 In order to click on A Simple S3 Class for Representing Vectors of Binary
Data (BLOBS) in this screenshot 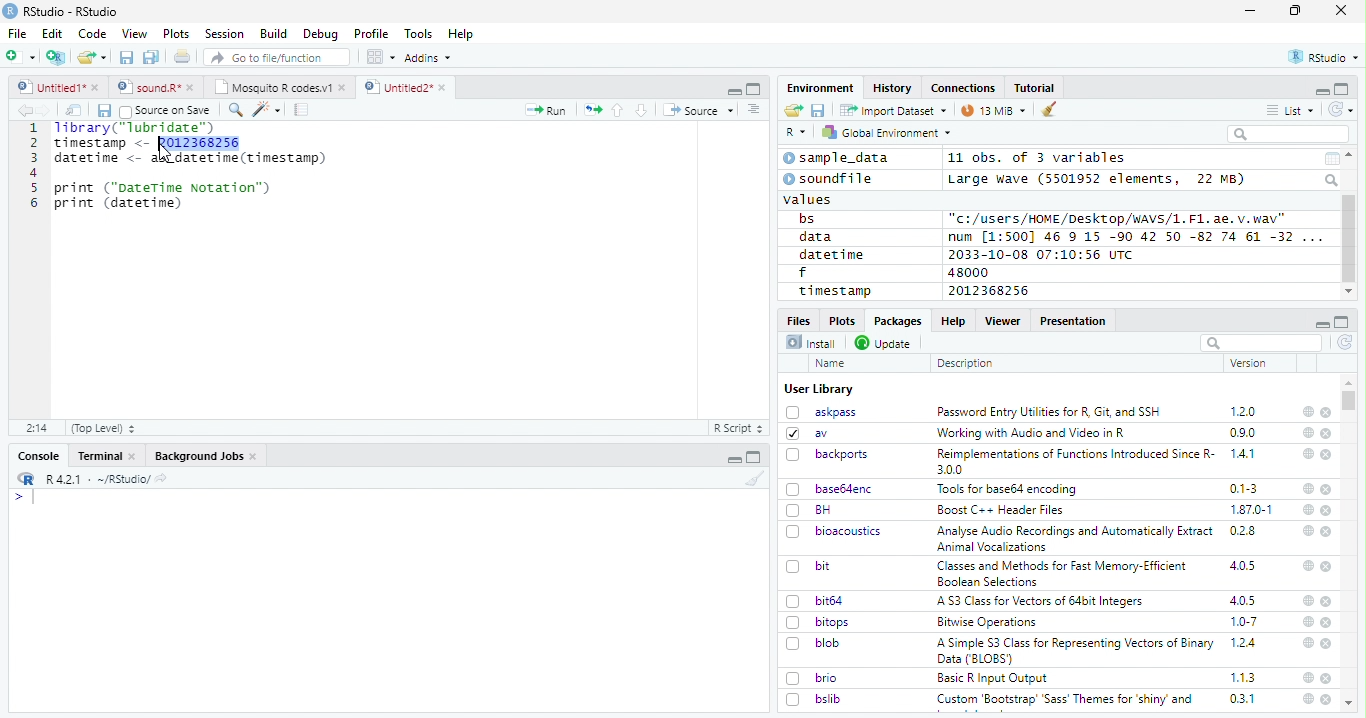, I will do `click(1077, 650)`.